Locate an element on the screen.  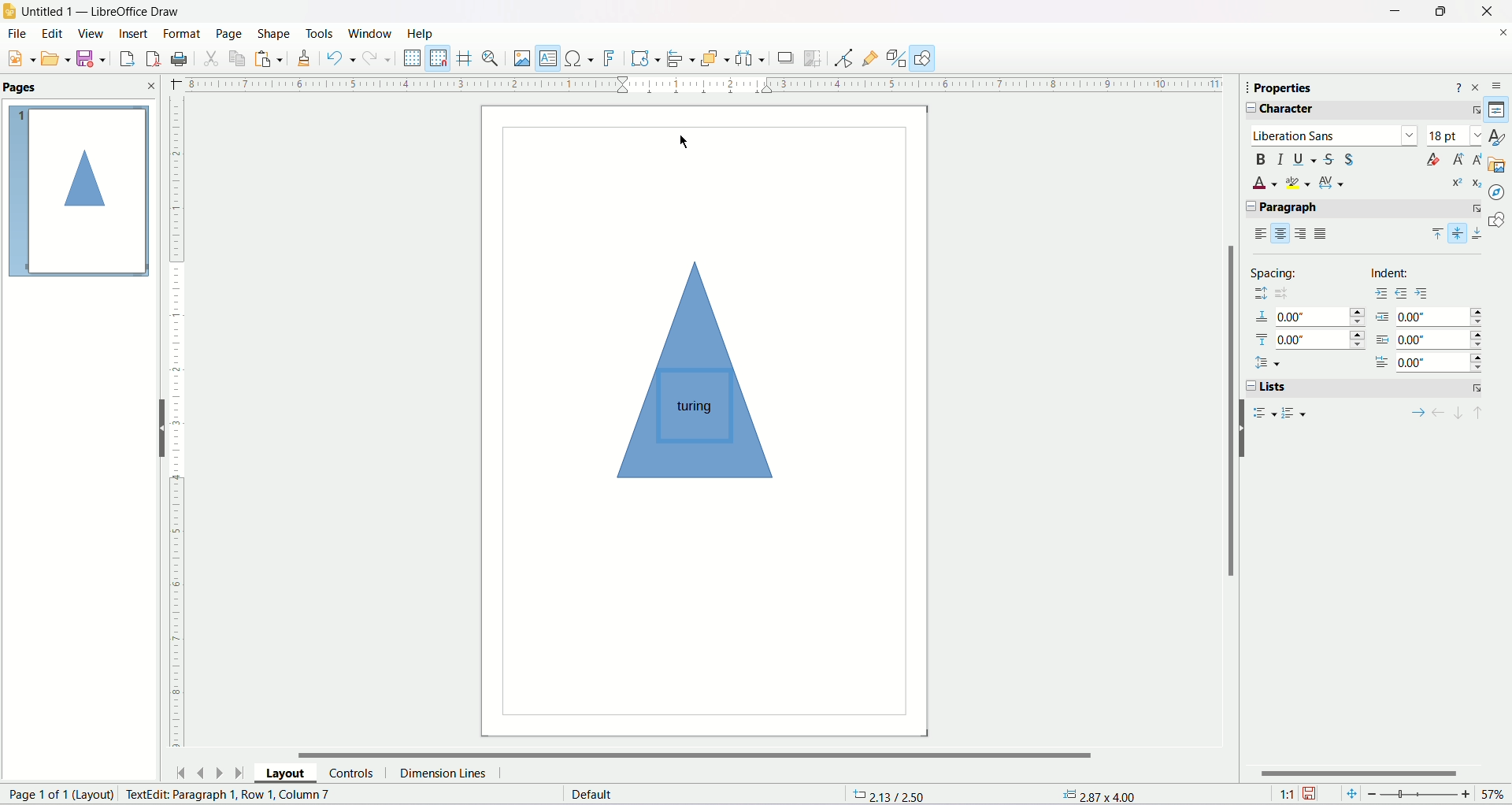
indent is located at coordinates (1432, 321).